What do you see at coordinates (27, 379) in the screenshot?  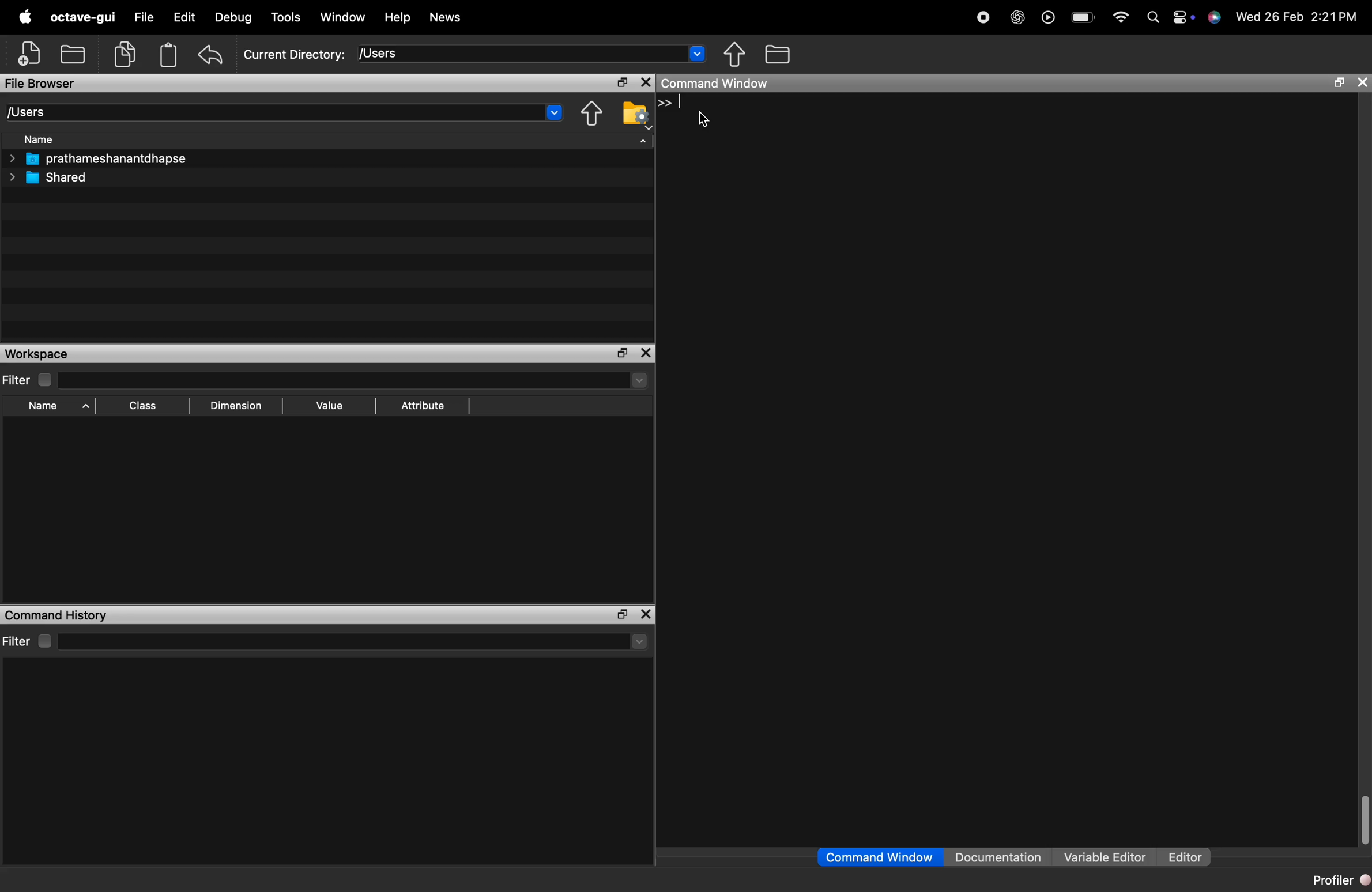 I see `Filter` at bounding box center [27, 379].